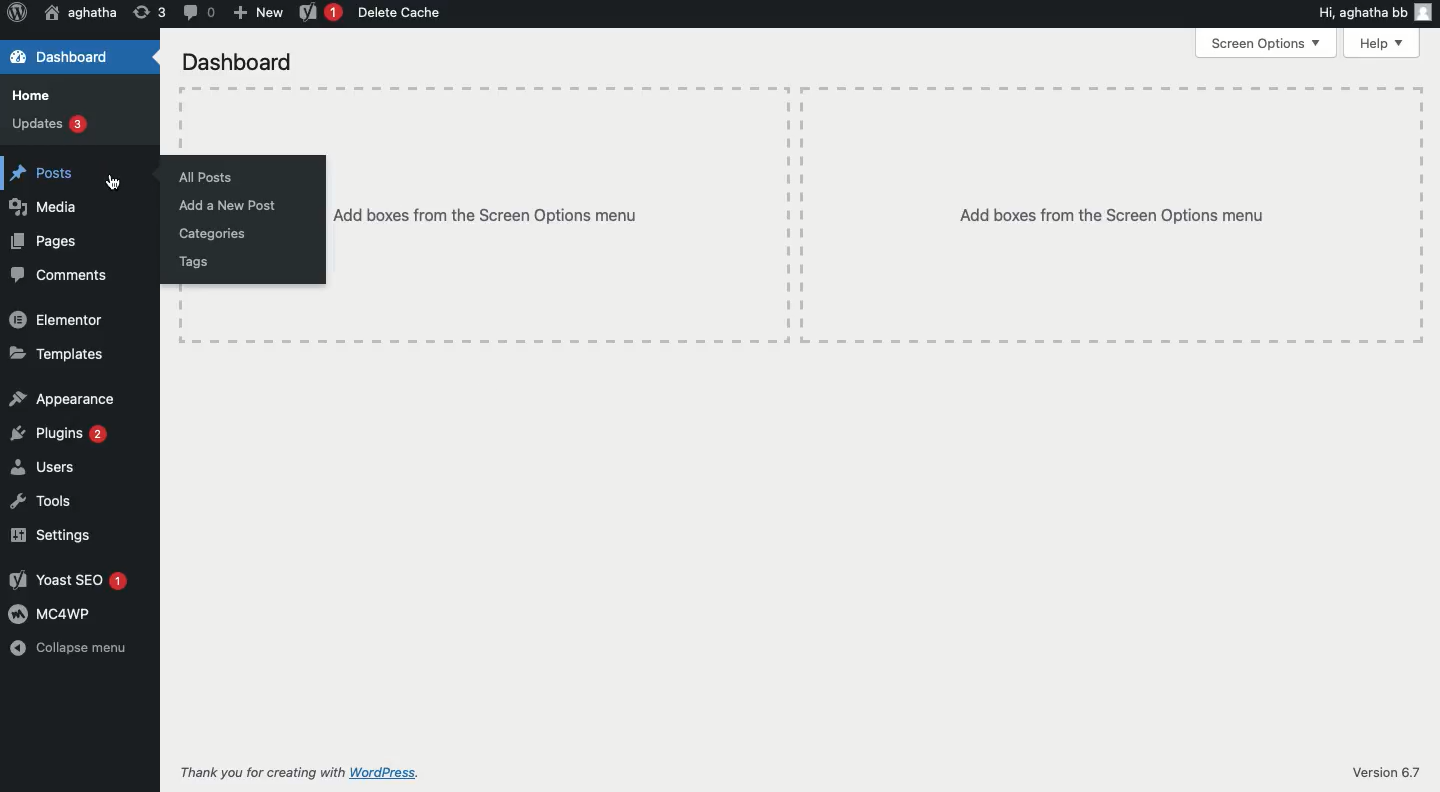 The width and height of the screenshot is (1440, 792). What do you see at coordinates (55, 357) in the screenshot?
I see `Templates` at bounding box center [55, 357].